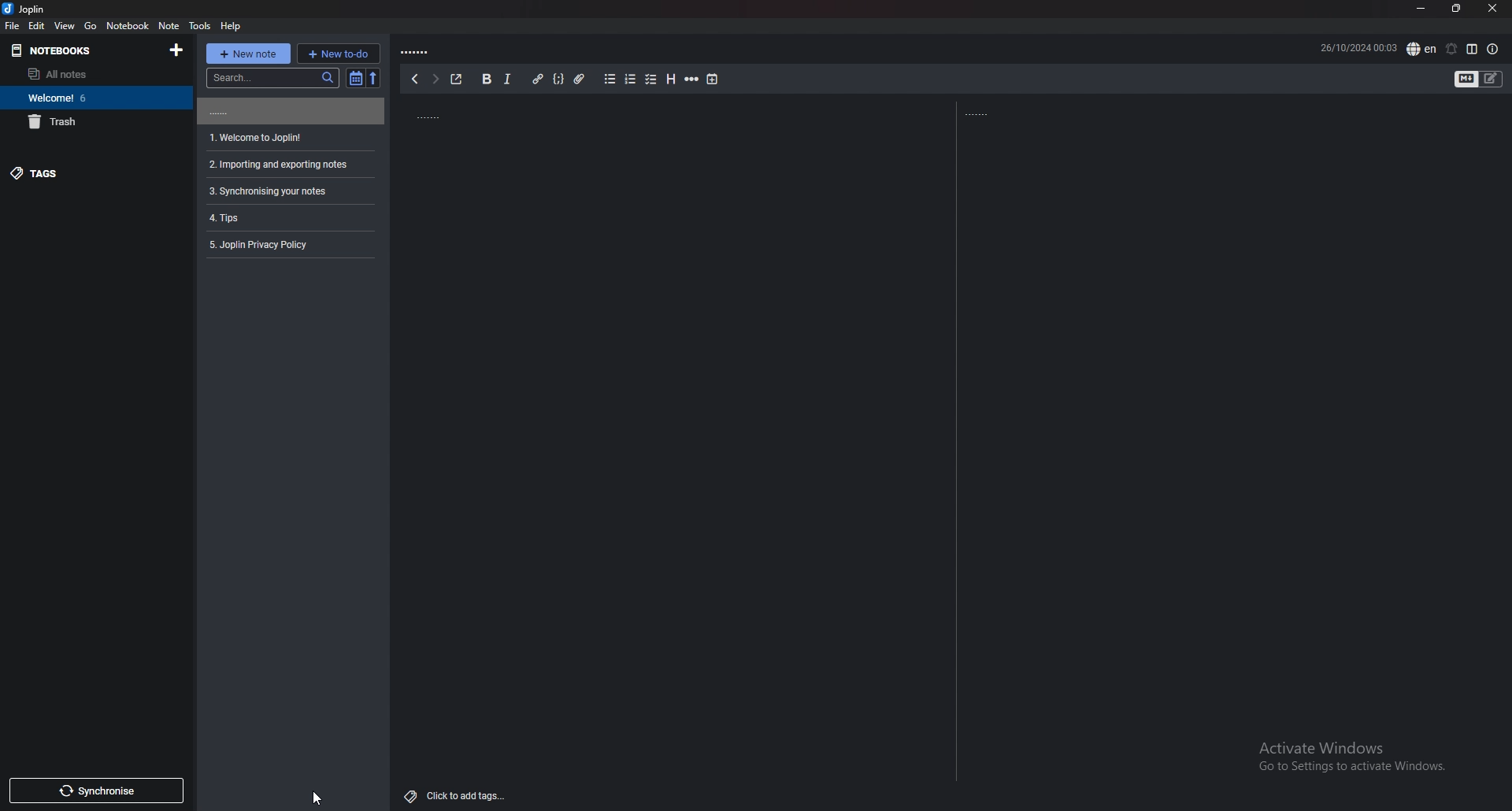  Describe the element at coordinates (486, 78) in the screenshot. I see `bold` at that location.